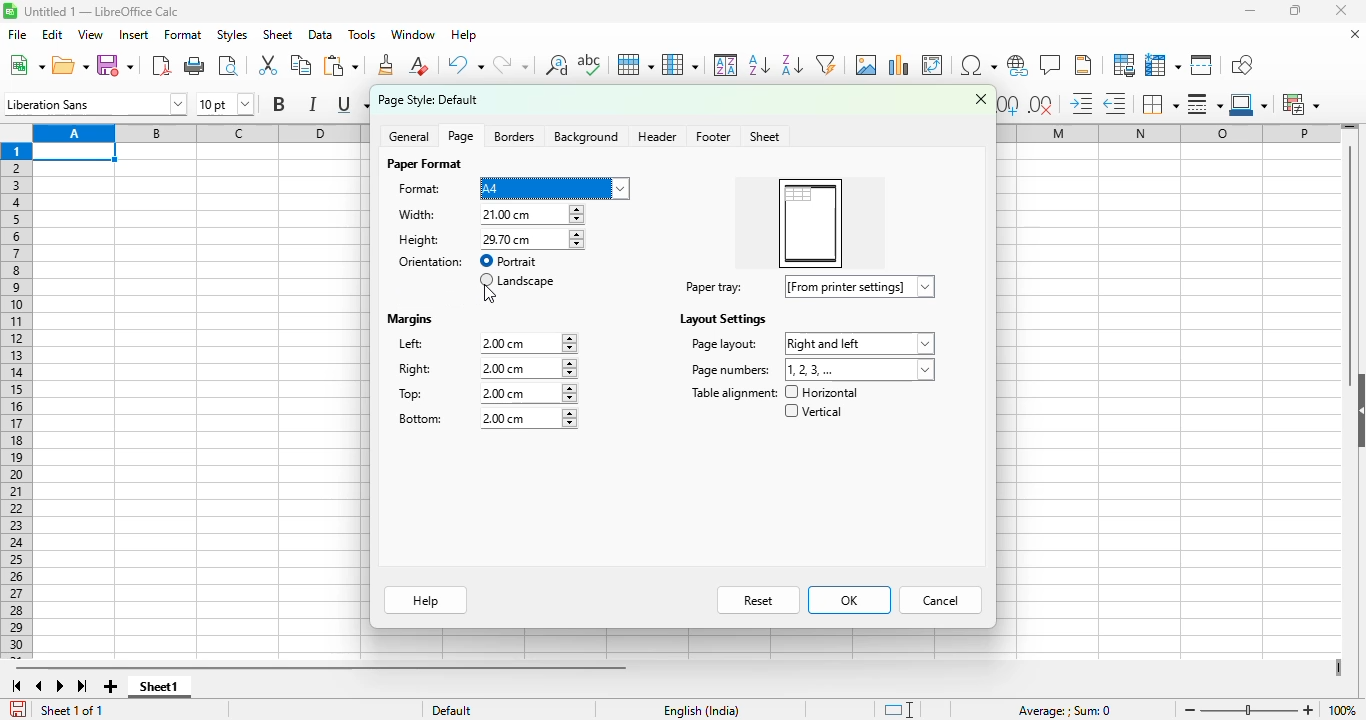 This screenshot has height=720, width=1366. Describe the element at coordinates (90, 34) in the screenshot. I see `view` at that location.